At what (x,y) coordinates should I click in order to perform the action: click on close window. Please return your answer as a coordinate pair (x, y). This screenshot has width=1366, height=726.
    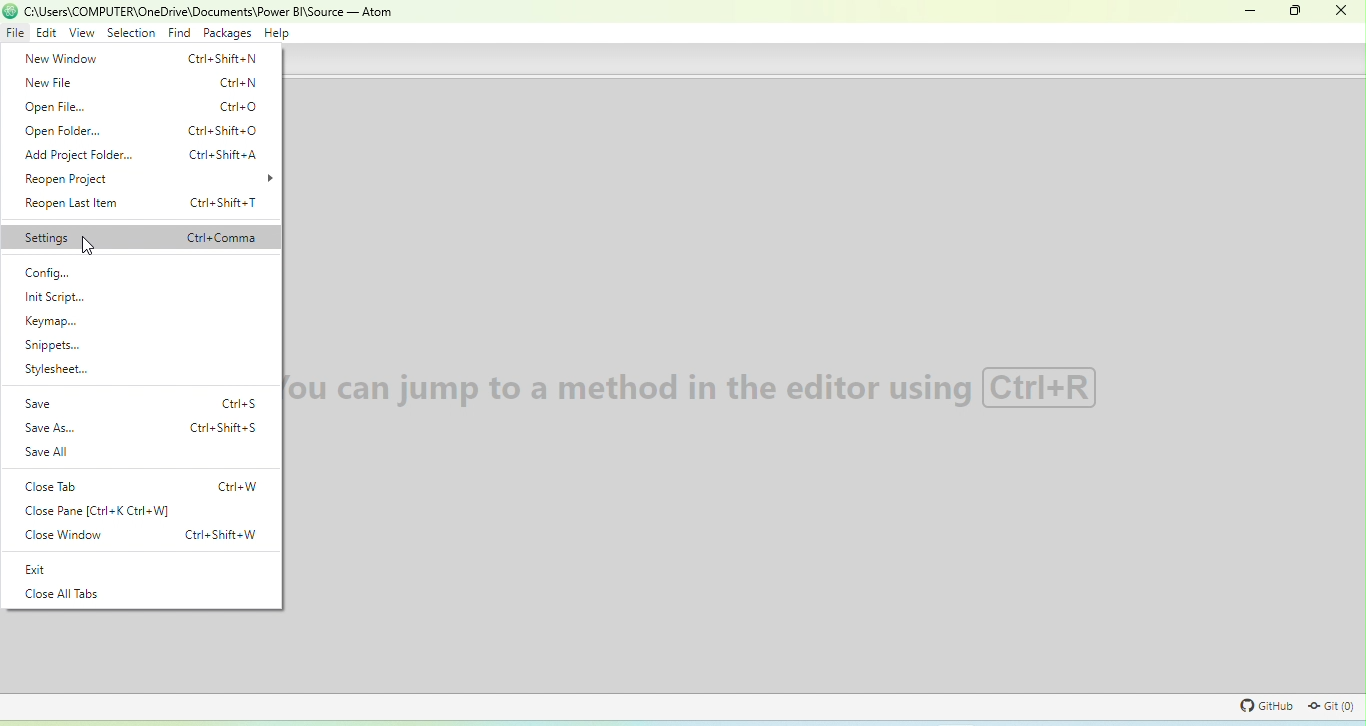
    Looking at the image, I should click on (140, 535).